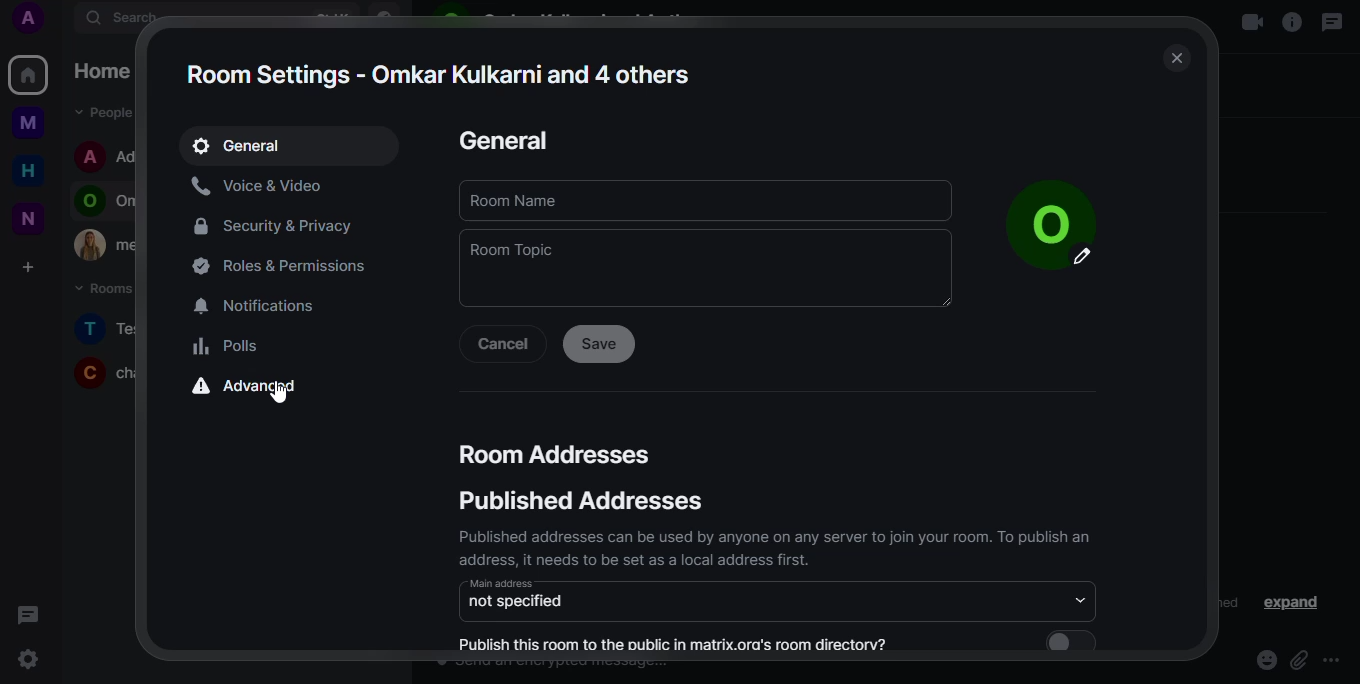  I want to click on save, so click(601, 342).